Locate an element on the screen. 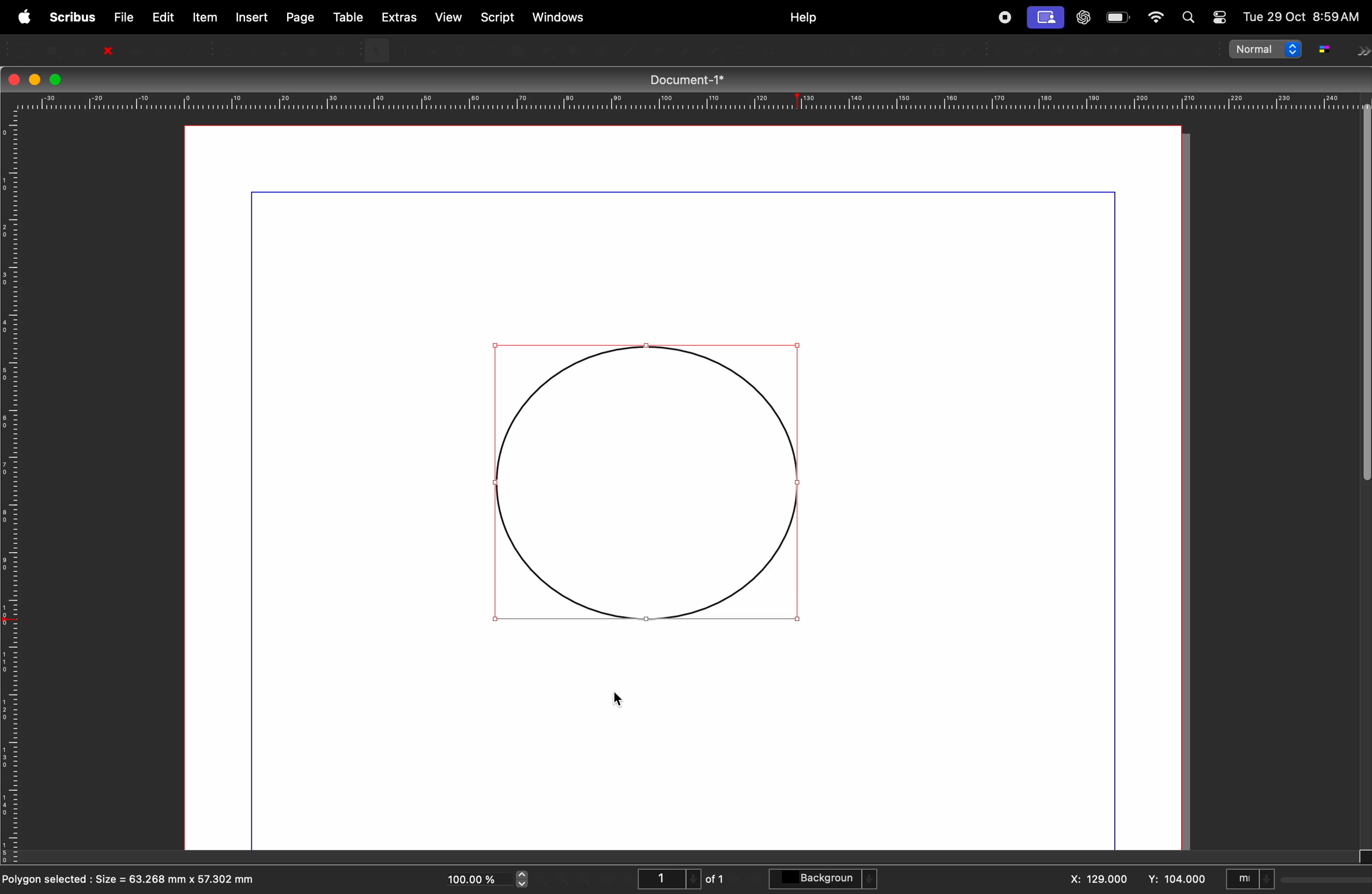 The width and height of the screenshot is (1372, 894). Copy is located at coordinates (315, 49).